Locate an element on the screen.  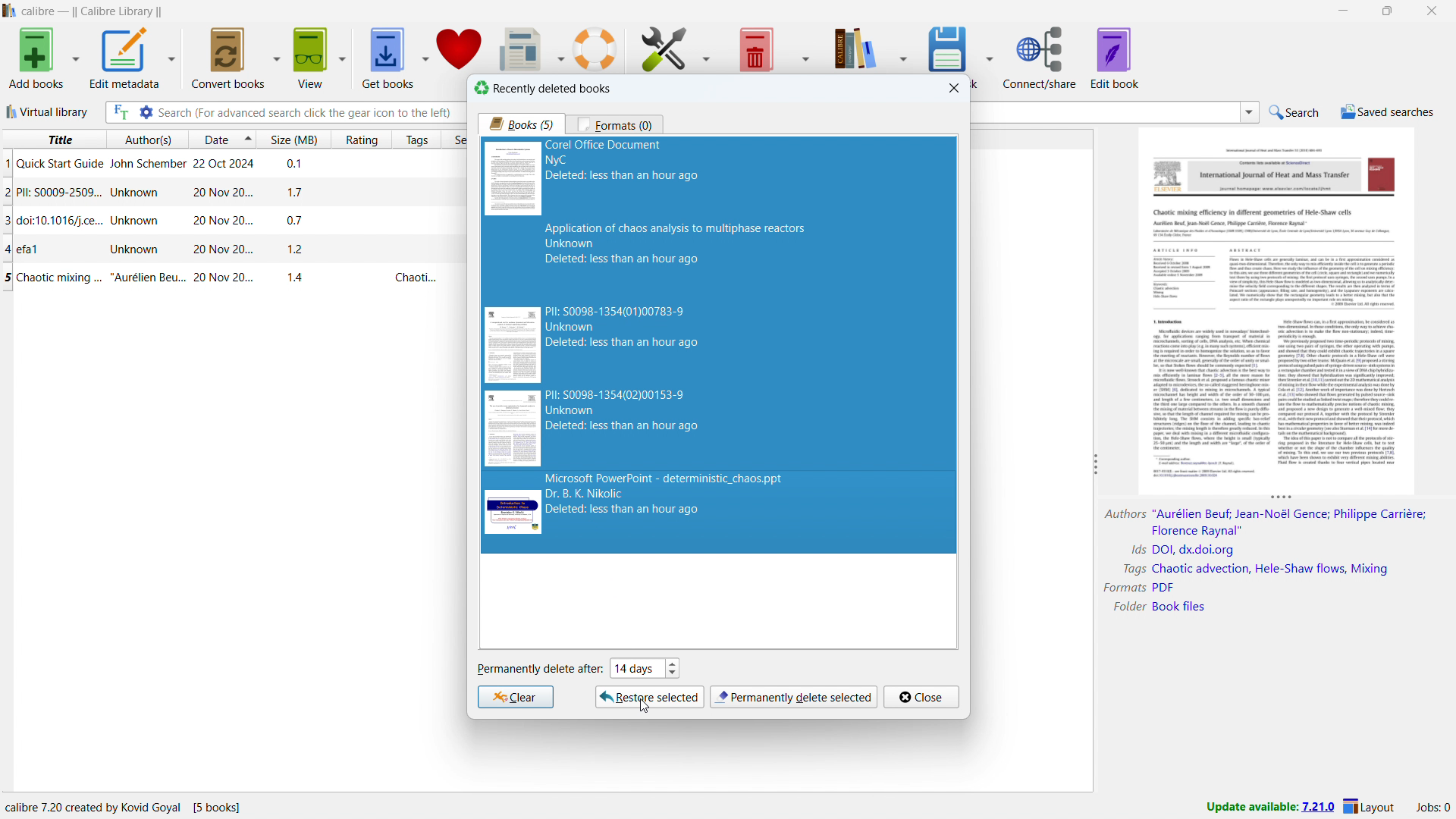
layout is located at coordinates (1371, 807).